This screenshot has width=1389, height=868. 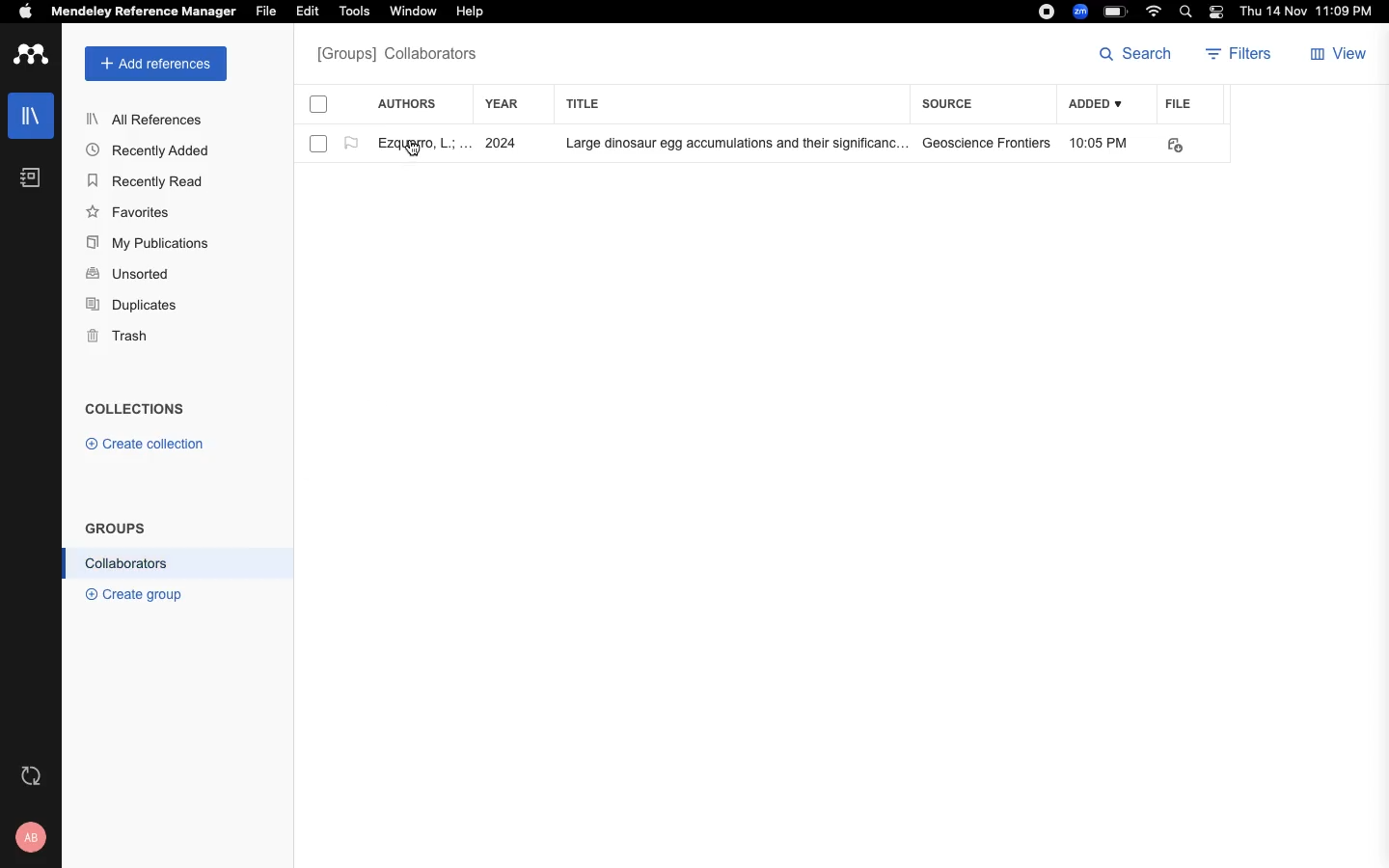 What do you see at coordinates (1189, 14) in the screenshot?
I see `search` at bounding box center [1189, 14].